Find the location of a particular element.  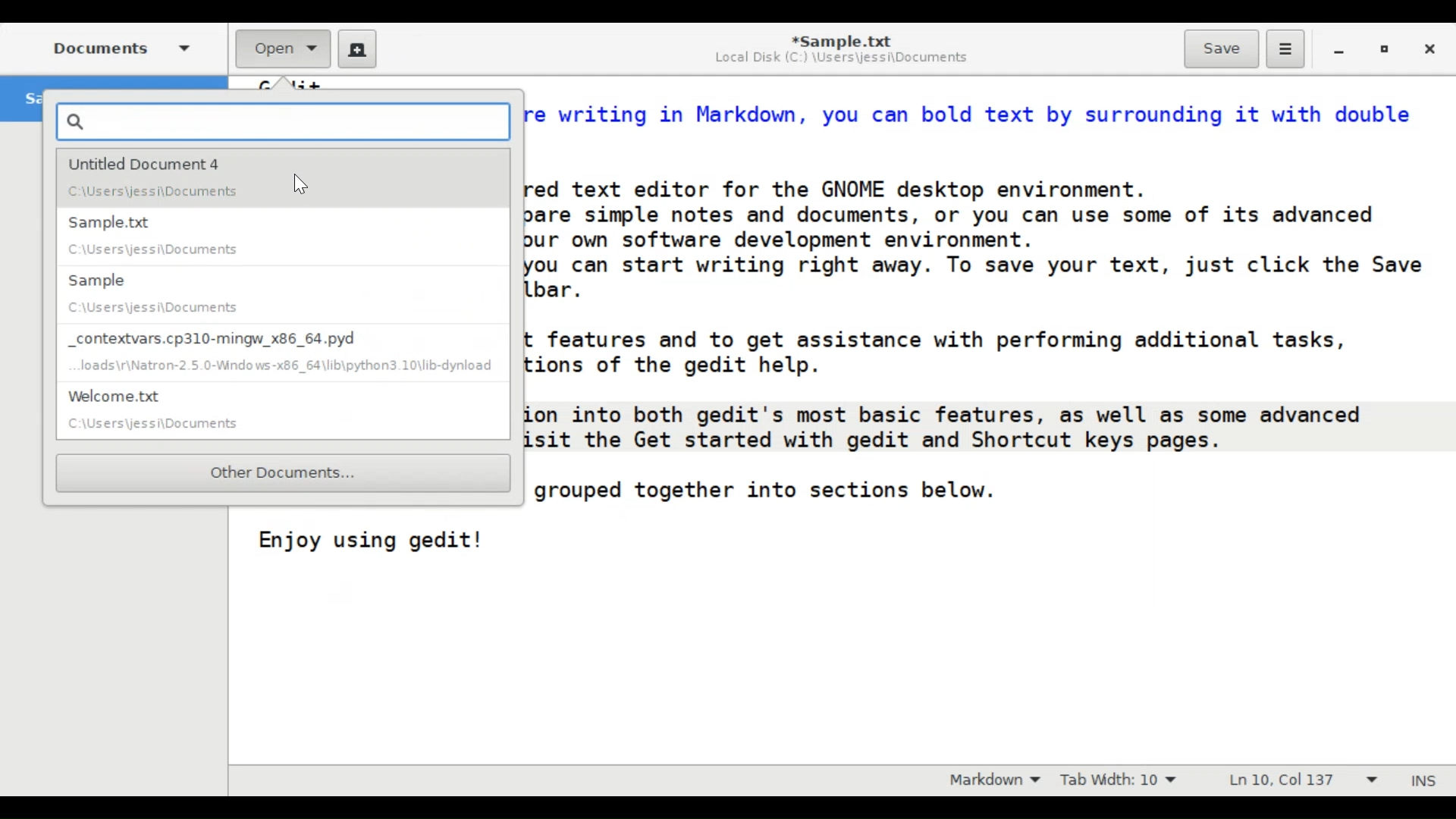

_contextvars.cp310-mingw_x86_64.pyd is located at coordinates (282, 352).